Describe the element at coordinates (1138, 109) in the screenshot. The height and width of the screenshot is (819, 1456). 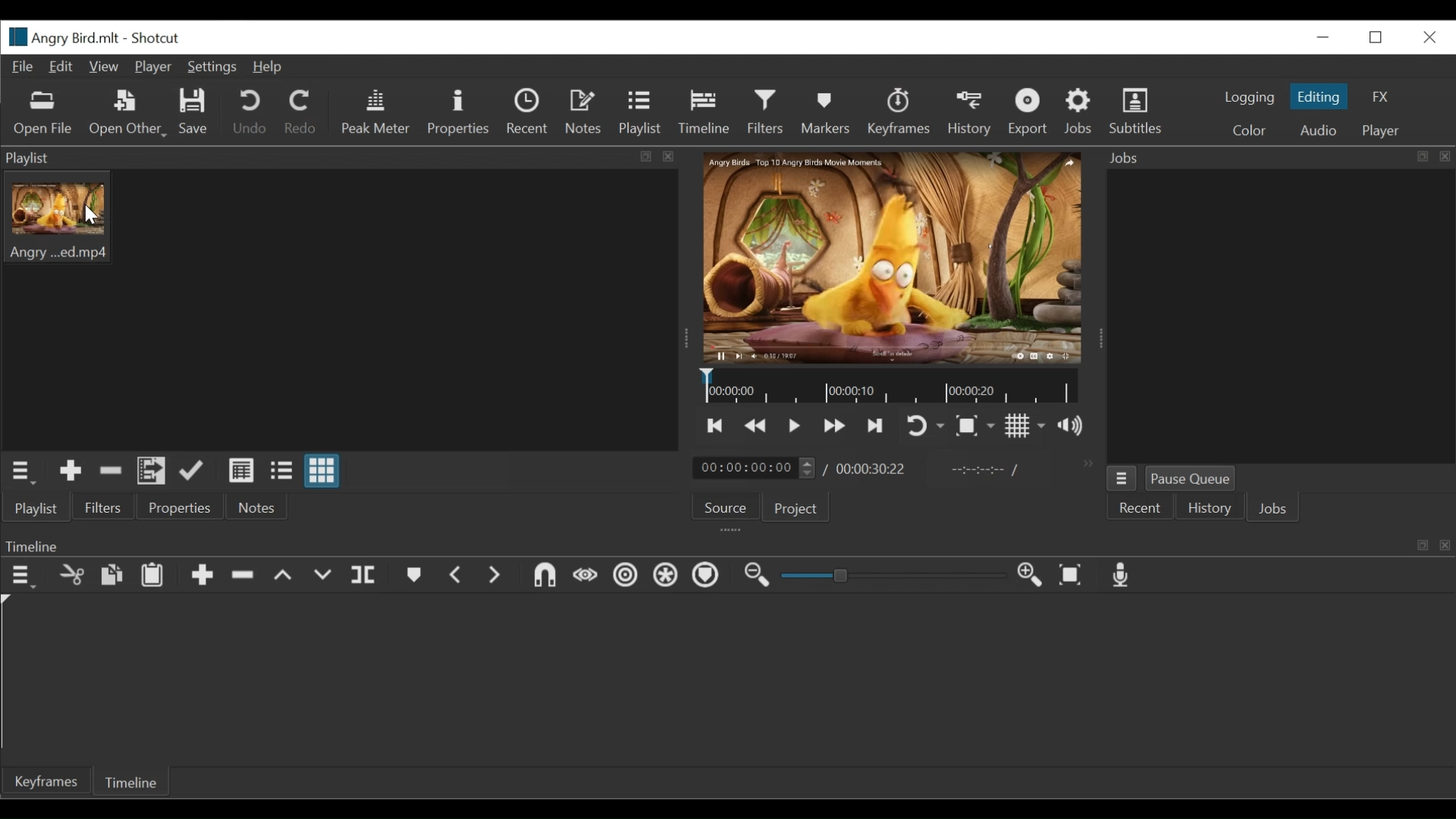
I see `Subtitles` at that location.